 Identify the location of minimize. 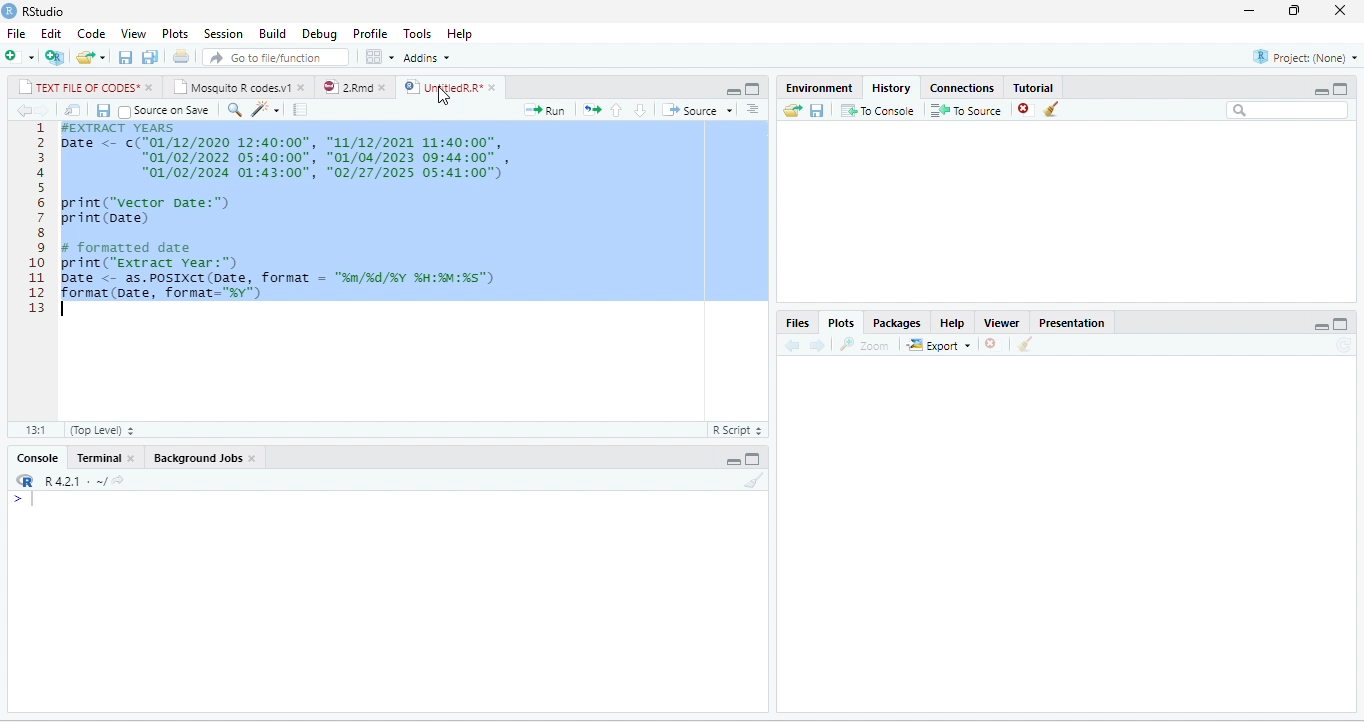
(1321, 326).